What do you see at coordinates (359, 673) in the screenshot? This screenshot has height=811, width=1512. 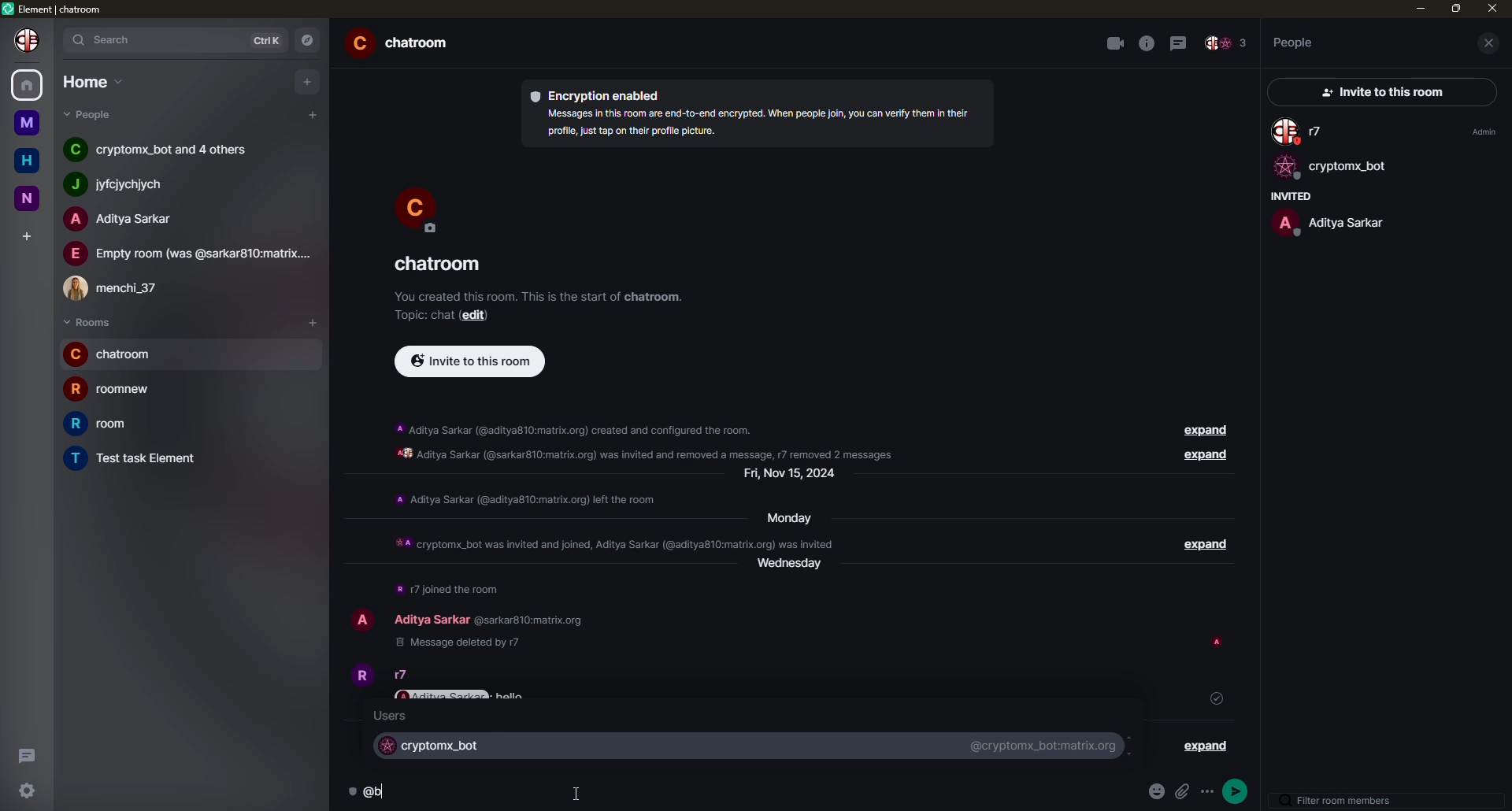 I see `profile` at bounding box center [359, 673].